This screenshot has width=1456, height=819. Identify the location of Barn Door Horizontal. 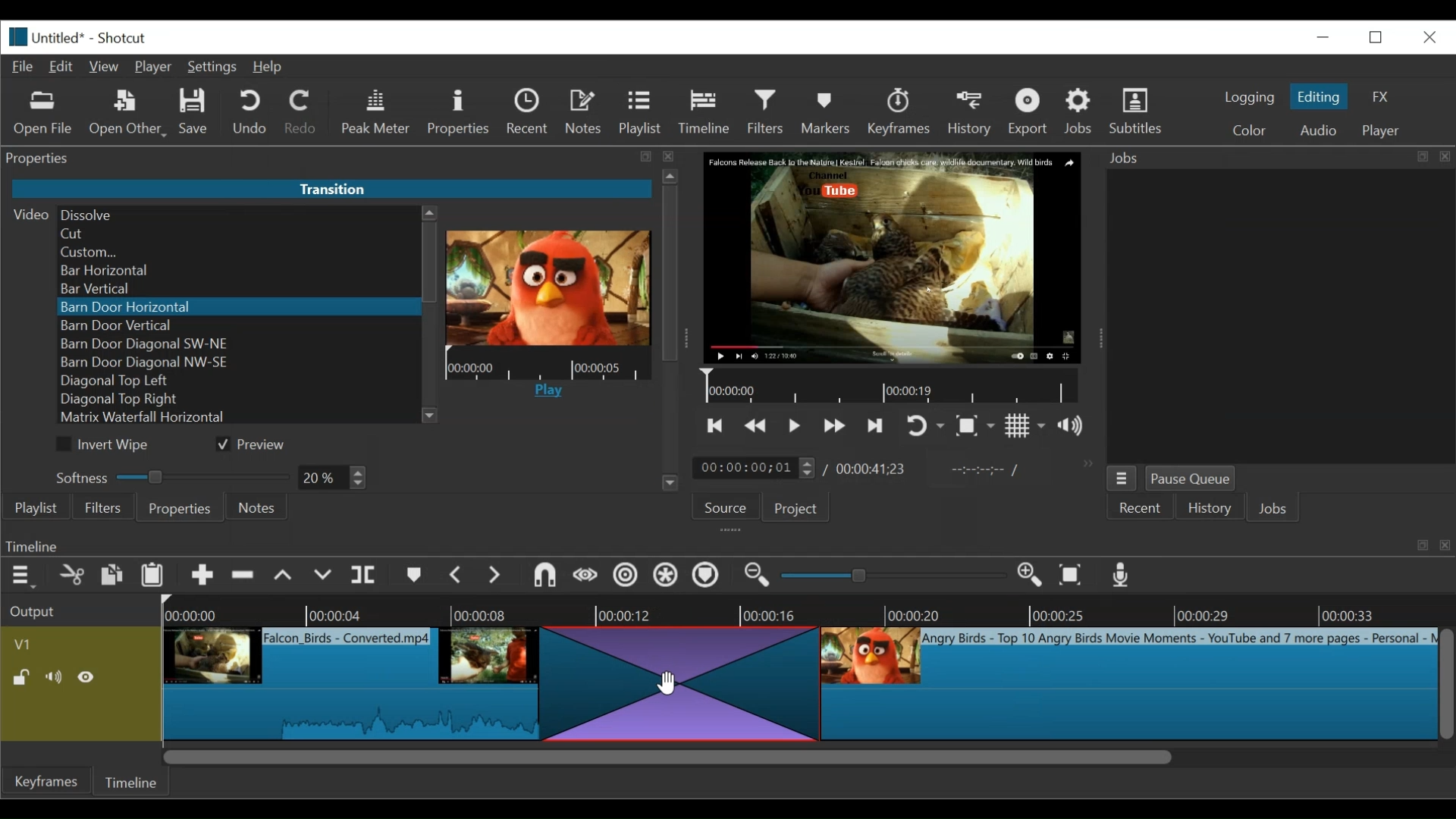
(236, 307).